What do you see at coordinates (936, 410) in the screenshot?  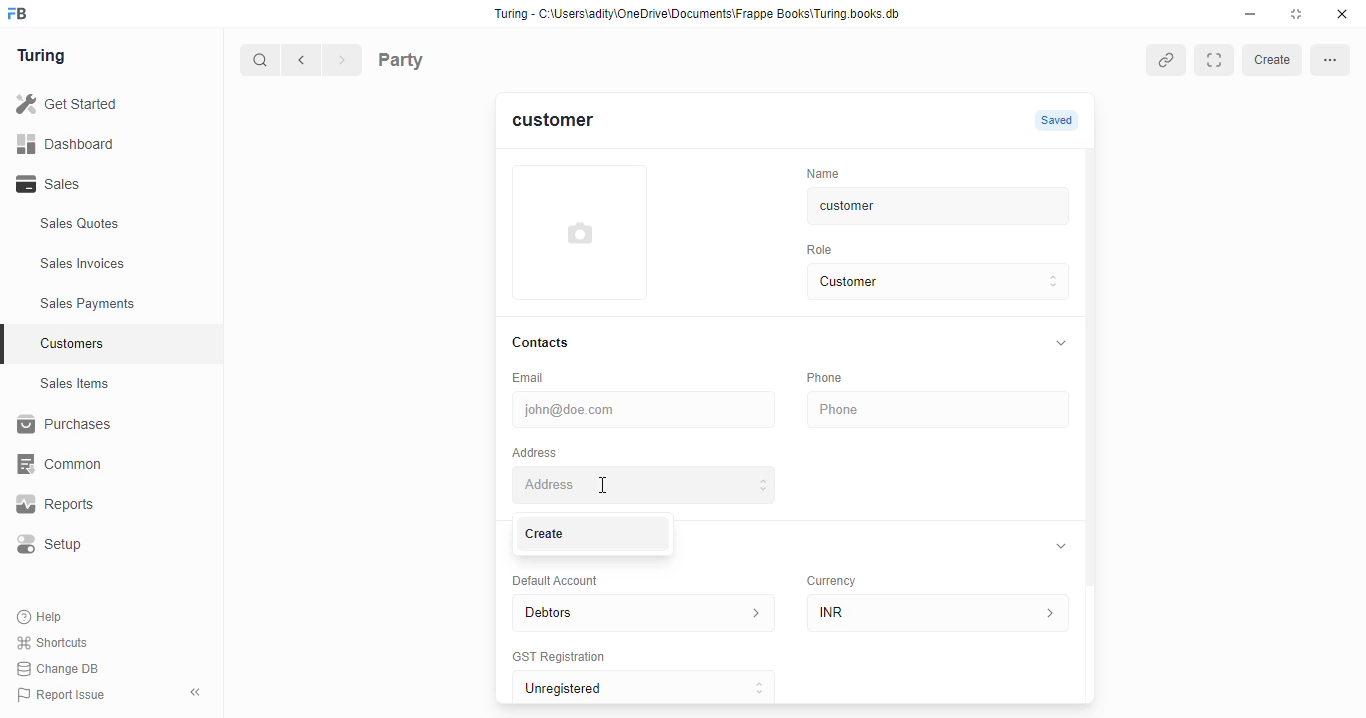 I see `Phone` at bounding box center [936, 410].